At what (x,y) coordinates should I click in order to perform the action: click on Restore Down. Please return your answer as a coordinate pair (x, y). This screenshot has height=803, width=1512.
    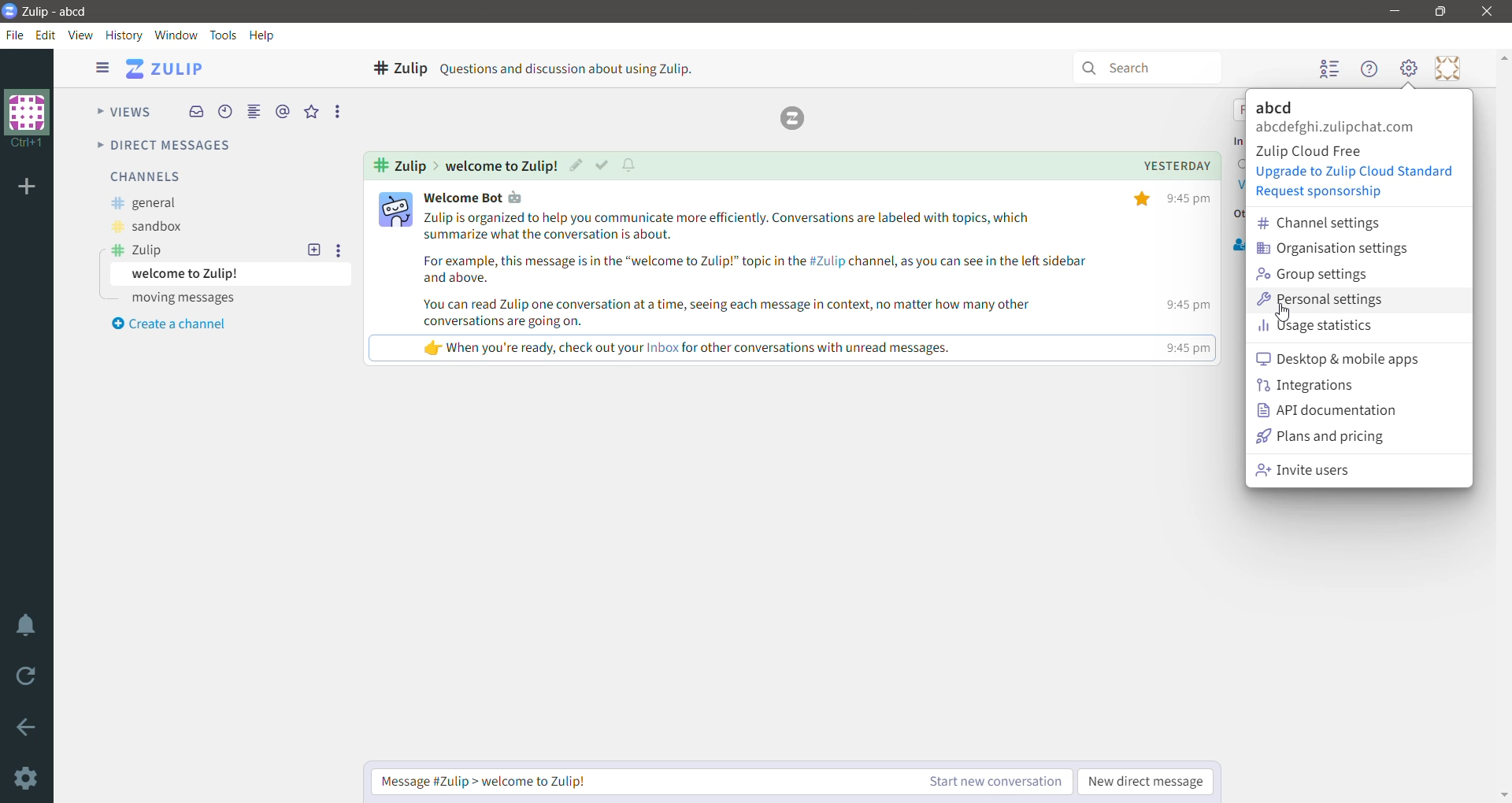
    Looking at the image, I should click on (1442, 12).